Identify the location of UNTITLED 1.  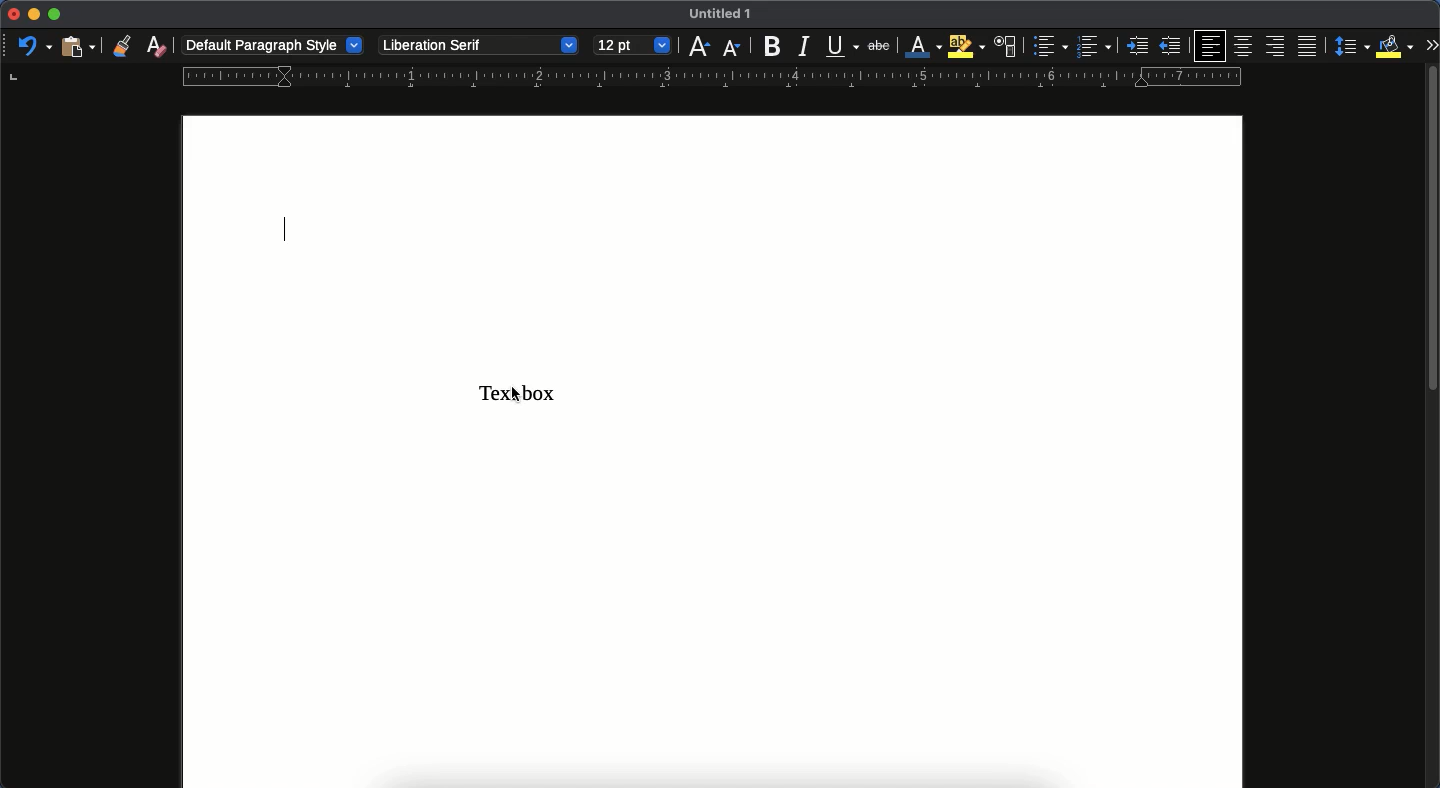
(728, 15).